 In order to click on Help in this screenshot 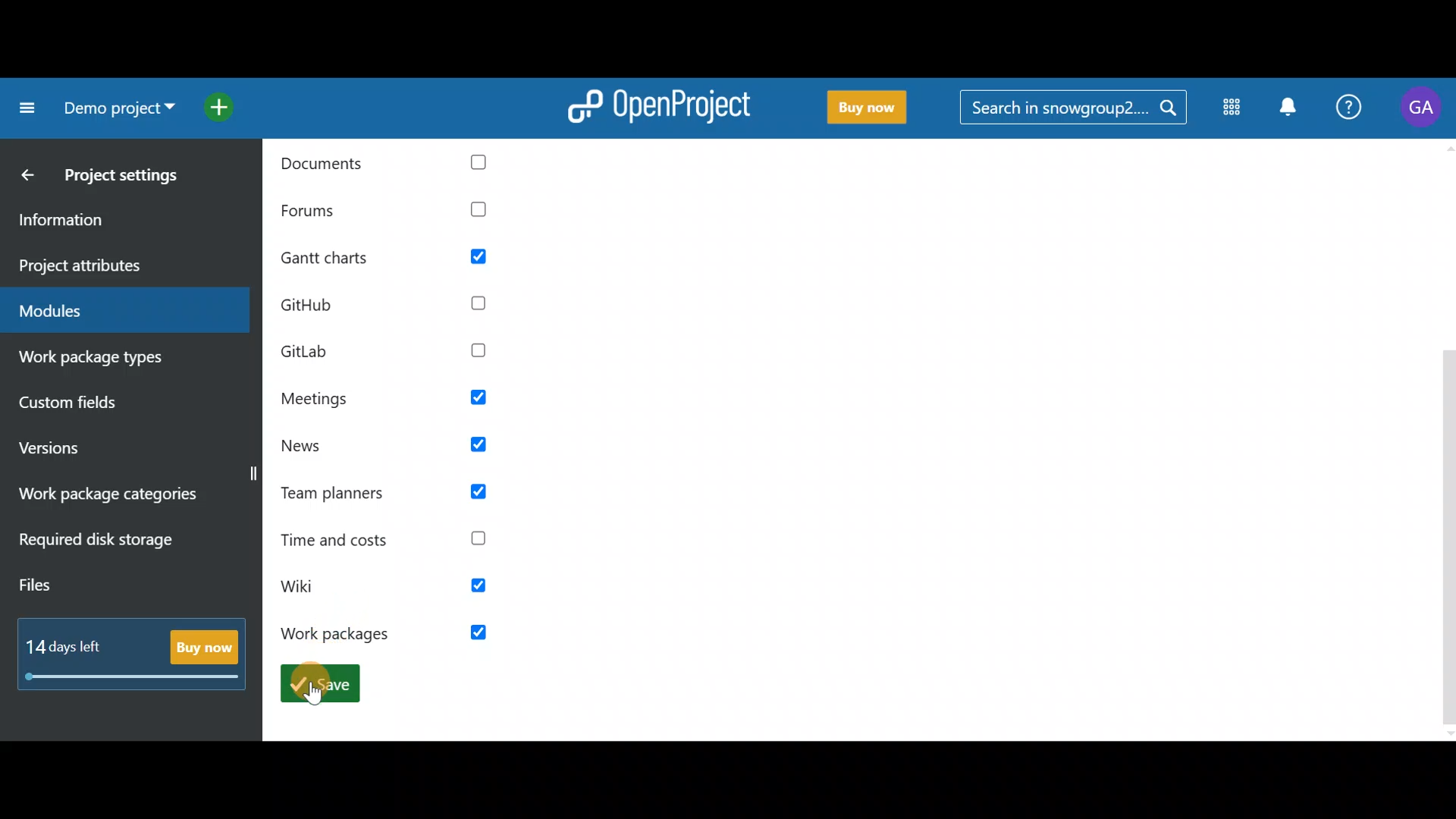, I will do `click(1347, 111)`.